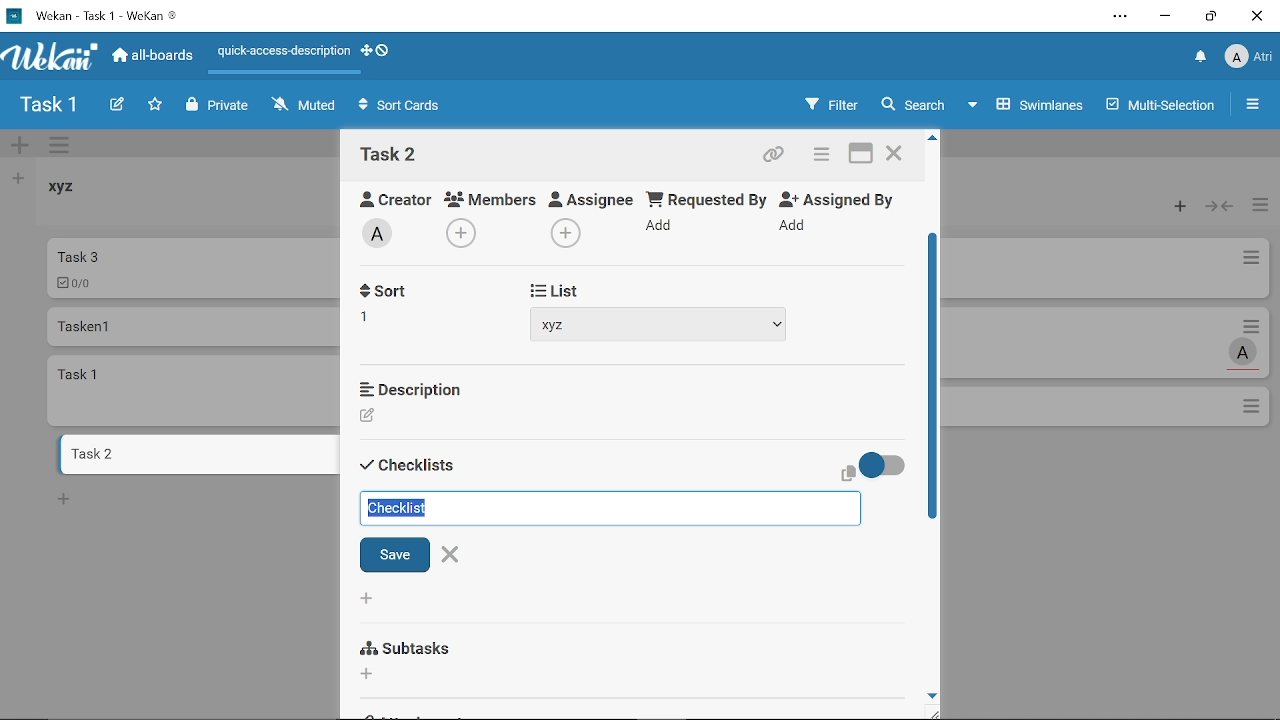 Image resolution: width=1280 pixels, height=720 pixels. What do you see at coordinates (396, 554) in the screenshot?
I see `Save checklist` at bounding box center [396, 554].